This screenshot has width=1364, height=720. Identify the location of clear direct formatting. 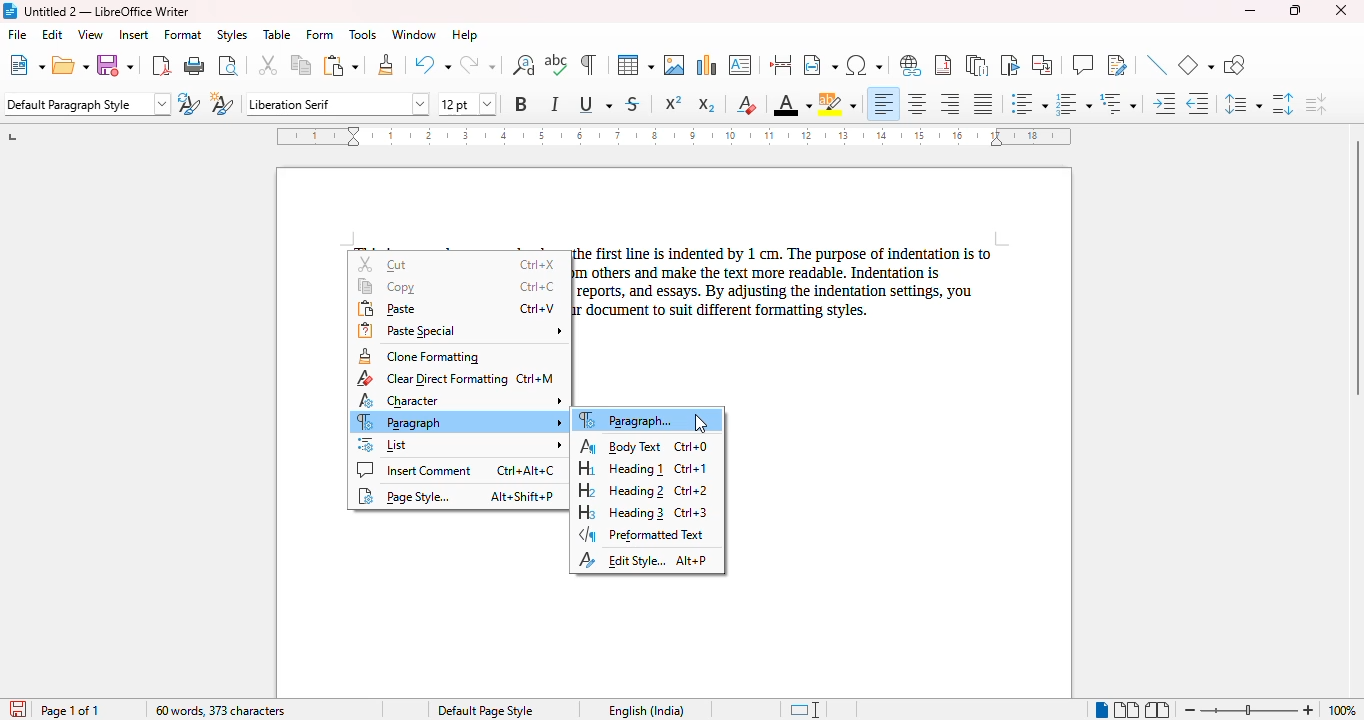
(746, 104).